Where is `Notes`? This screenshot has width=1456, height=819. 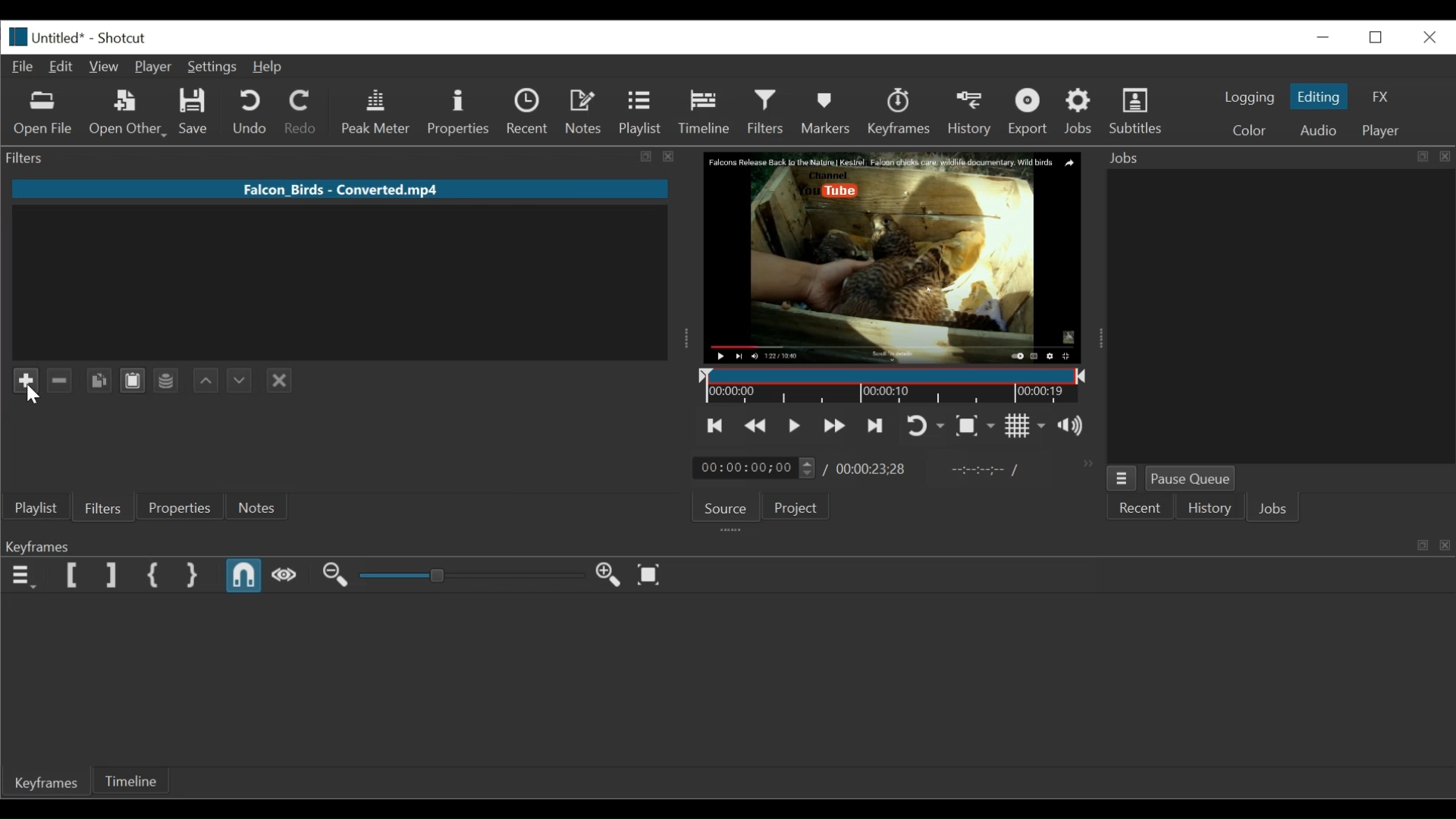
Notes is located at coordinates (585, 111).